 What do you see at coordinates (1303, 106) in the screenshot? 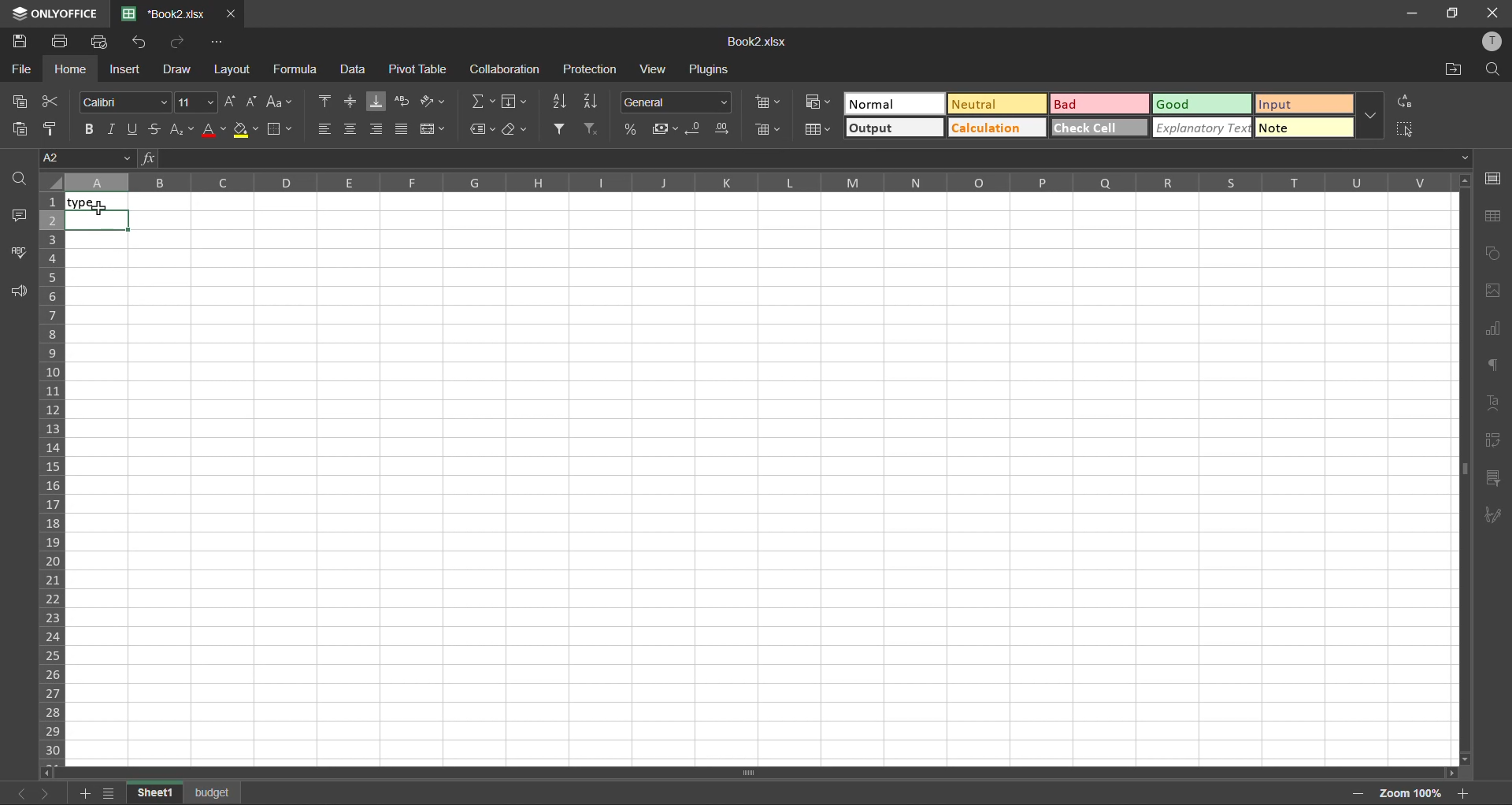
I see `input` at bounding box center [1303, 106].